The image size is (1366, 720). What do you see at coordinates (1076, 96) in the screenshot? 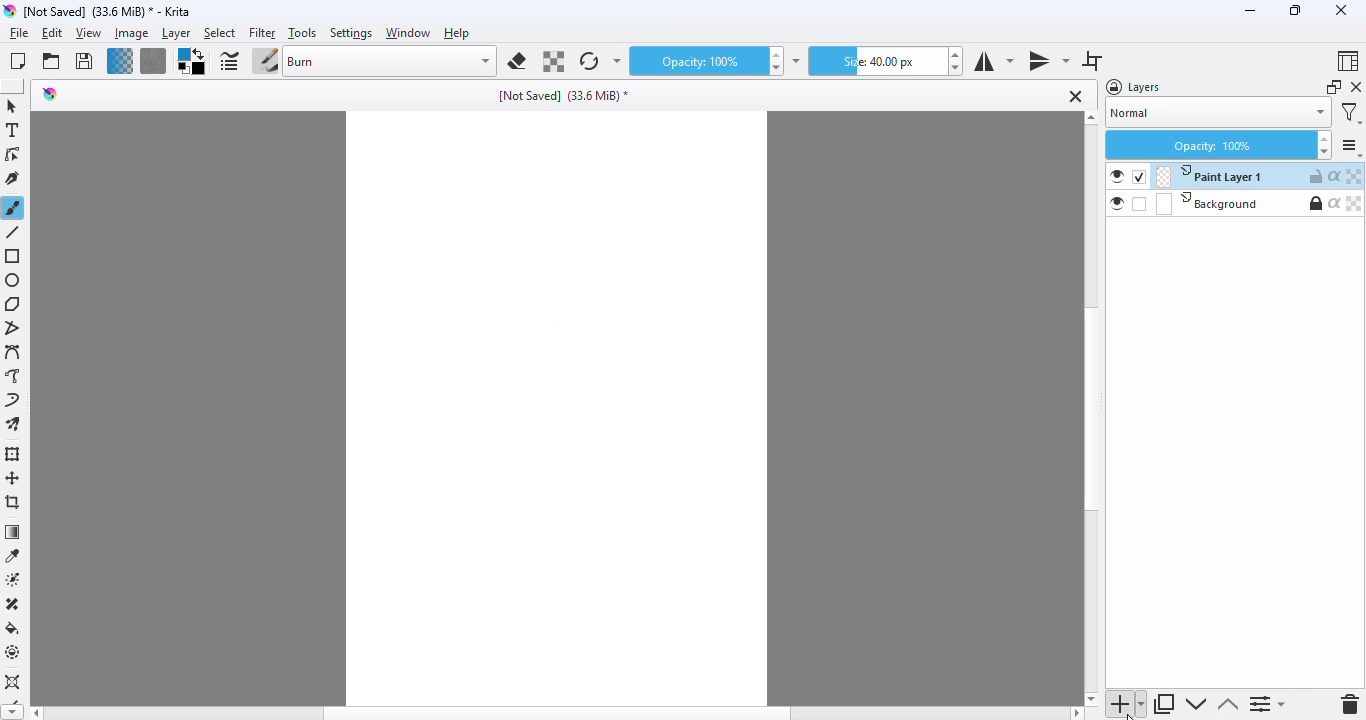
I see `close tab` at bounding box center [1076, 96].